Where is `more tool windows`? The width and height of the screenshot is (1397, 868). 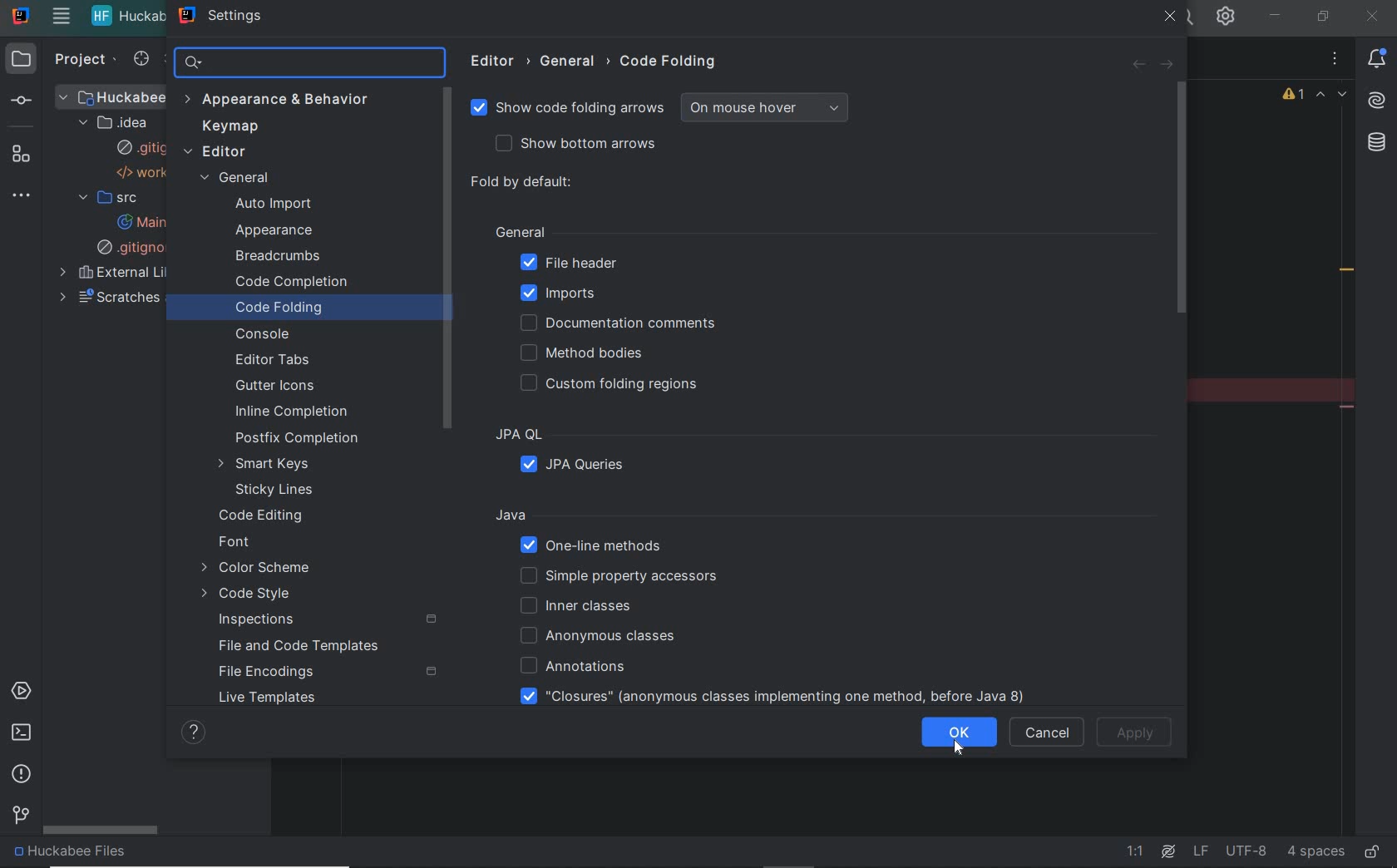 more tool windows is located at coordinates (27, 196).